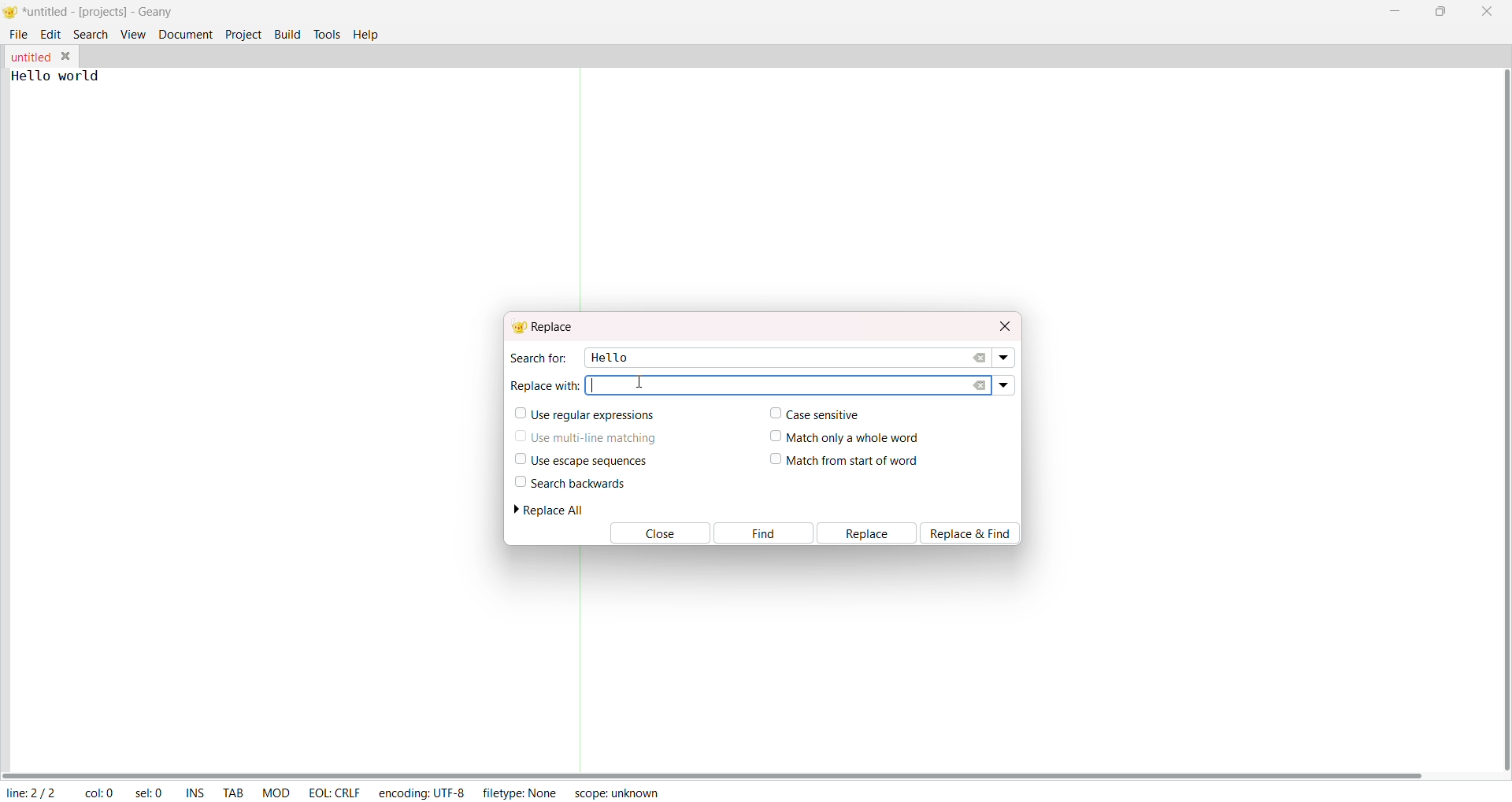 This screenshot has height=802, width=1512. What do you see at coordinates (186, 33) in the screenshot?
I see `document` at bounding box center [186, 33].